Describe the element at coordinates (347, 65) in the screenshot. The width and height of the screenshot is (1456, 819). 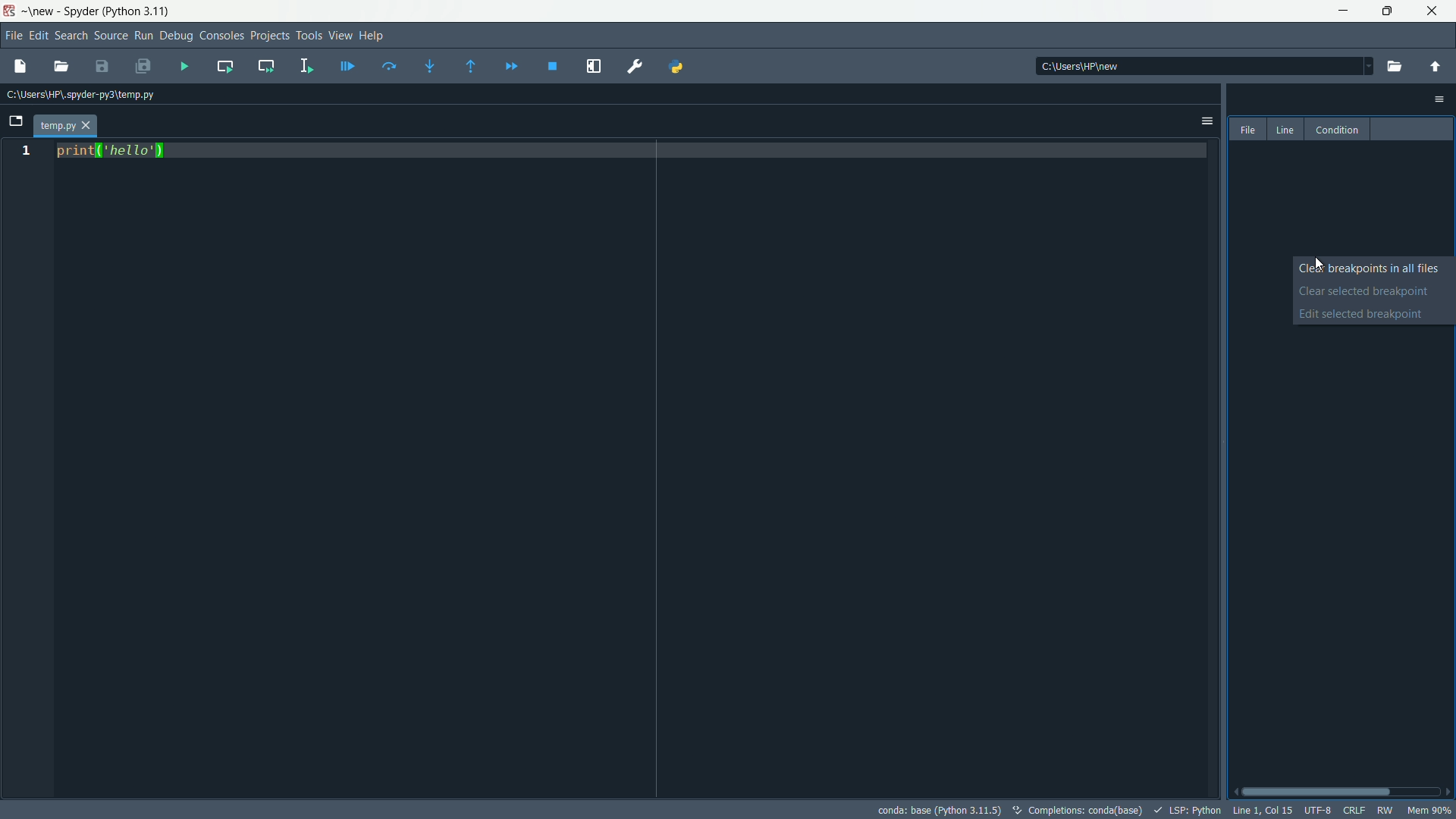
I see `debug file` at that location.